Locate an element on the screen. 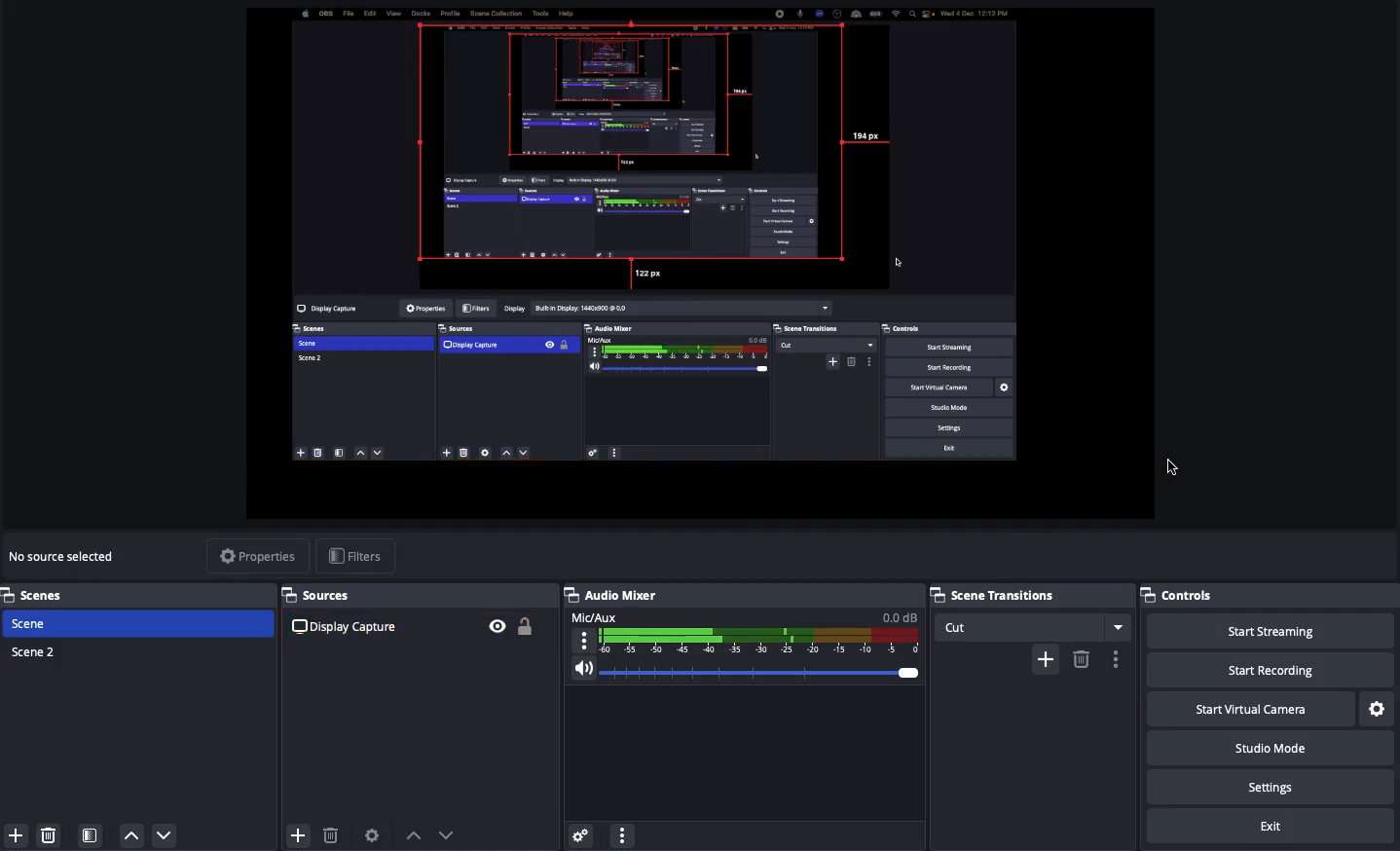  Scenes is located at coordinates (44, 595).